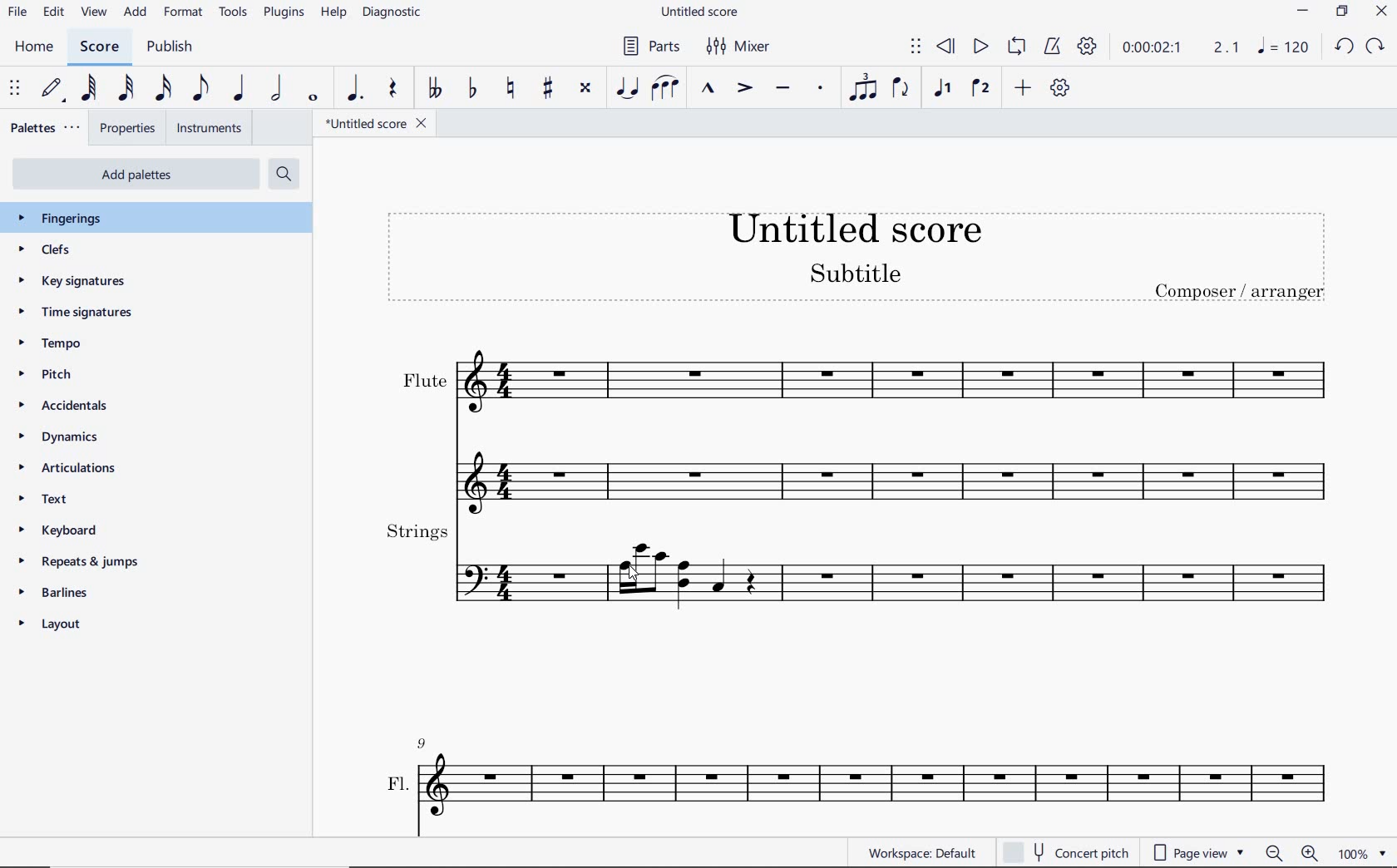  Describe the element at coordinates (634, 573) in the screenshot. I see `cursor` at that location.